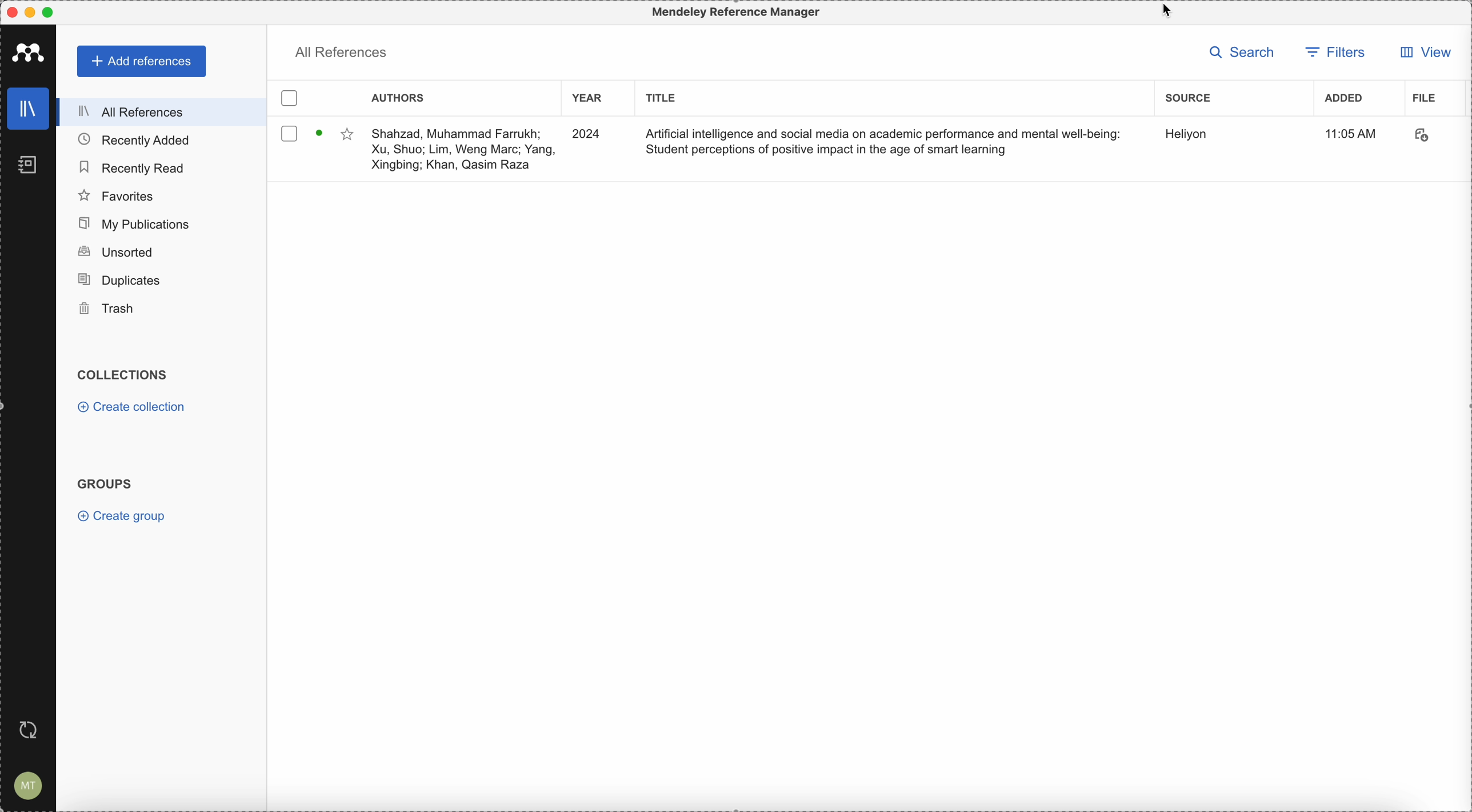 Image resolution: width=1472 pixels, height=812 pixels. I want to click on my publications, so click(133, 223).